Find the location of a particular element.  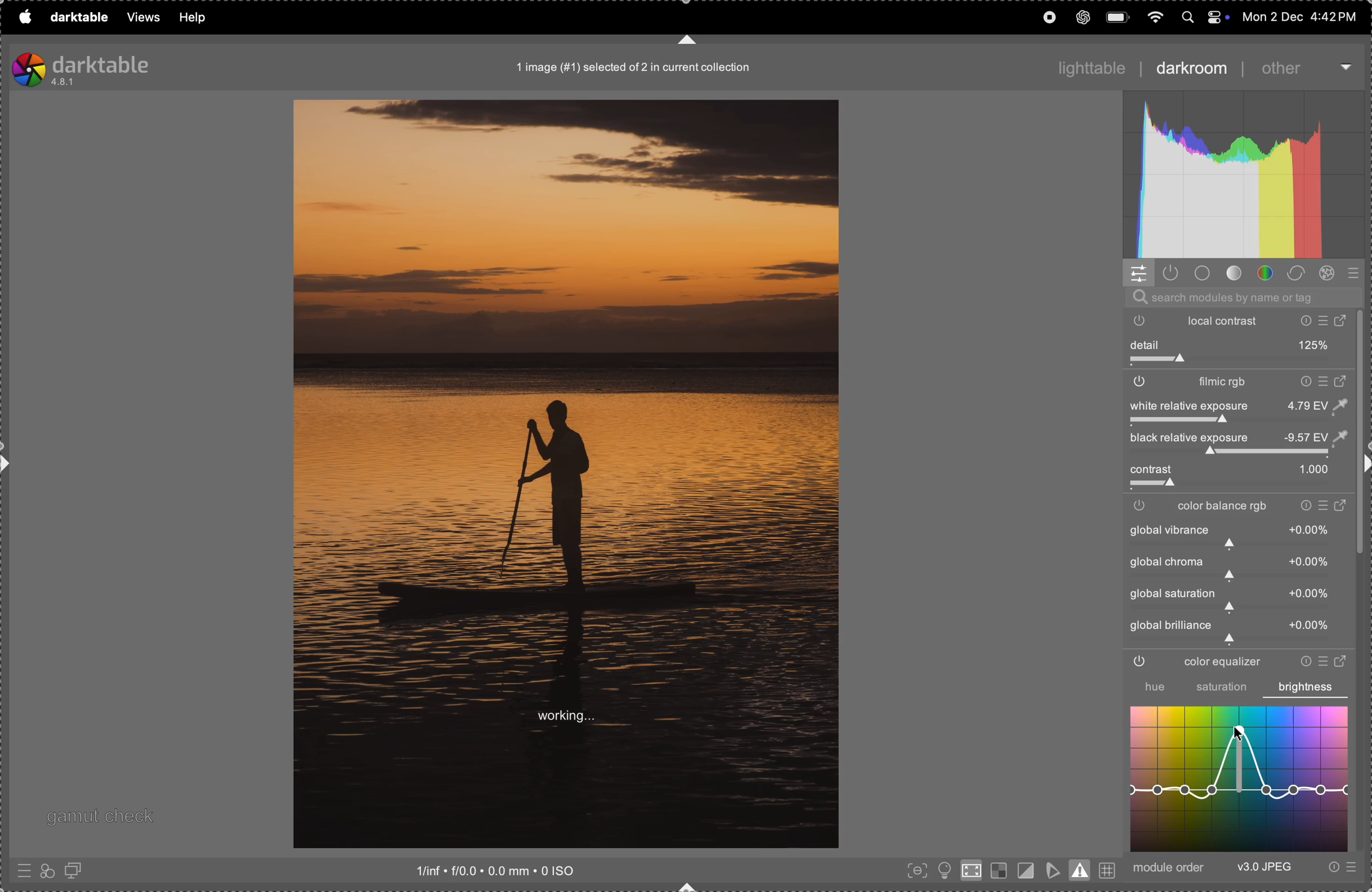

histogram is located at coordinates (1245, 176).